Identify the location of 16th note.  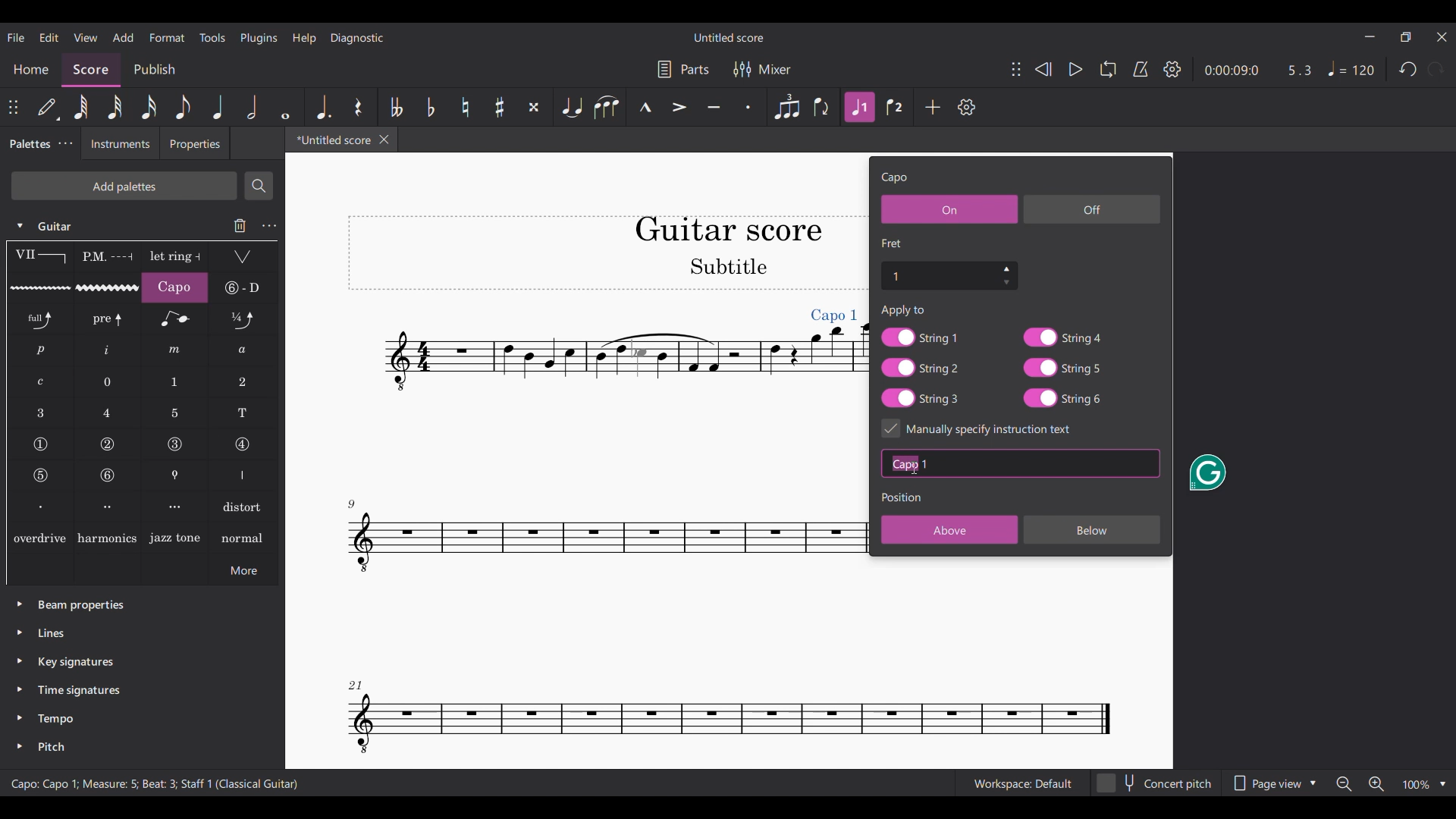
(149, 107).